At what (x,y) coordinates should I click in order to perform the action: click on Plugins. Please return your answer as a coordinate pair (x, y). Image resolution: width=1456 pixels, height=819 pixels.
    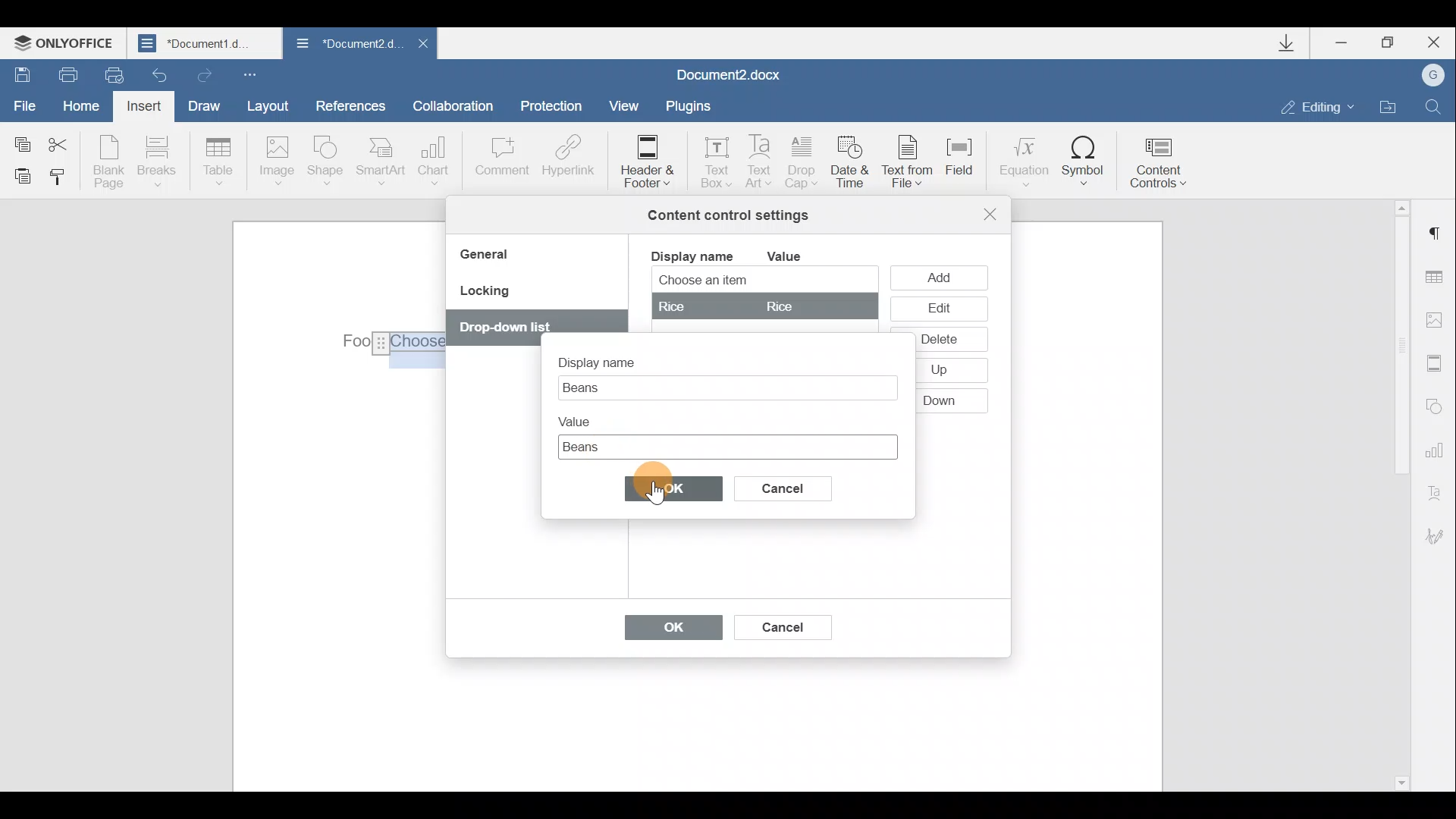
    Looking at the image, I should click on (693, 106).